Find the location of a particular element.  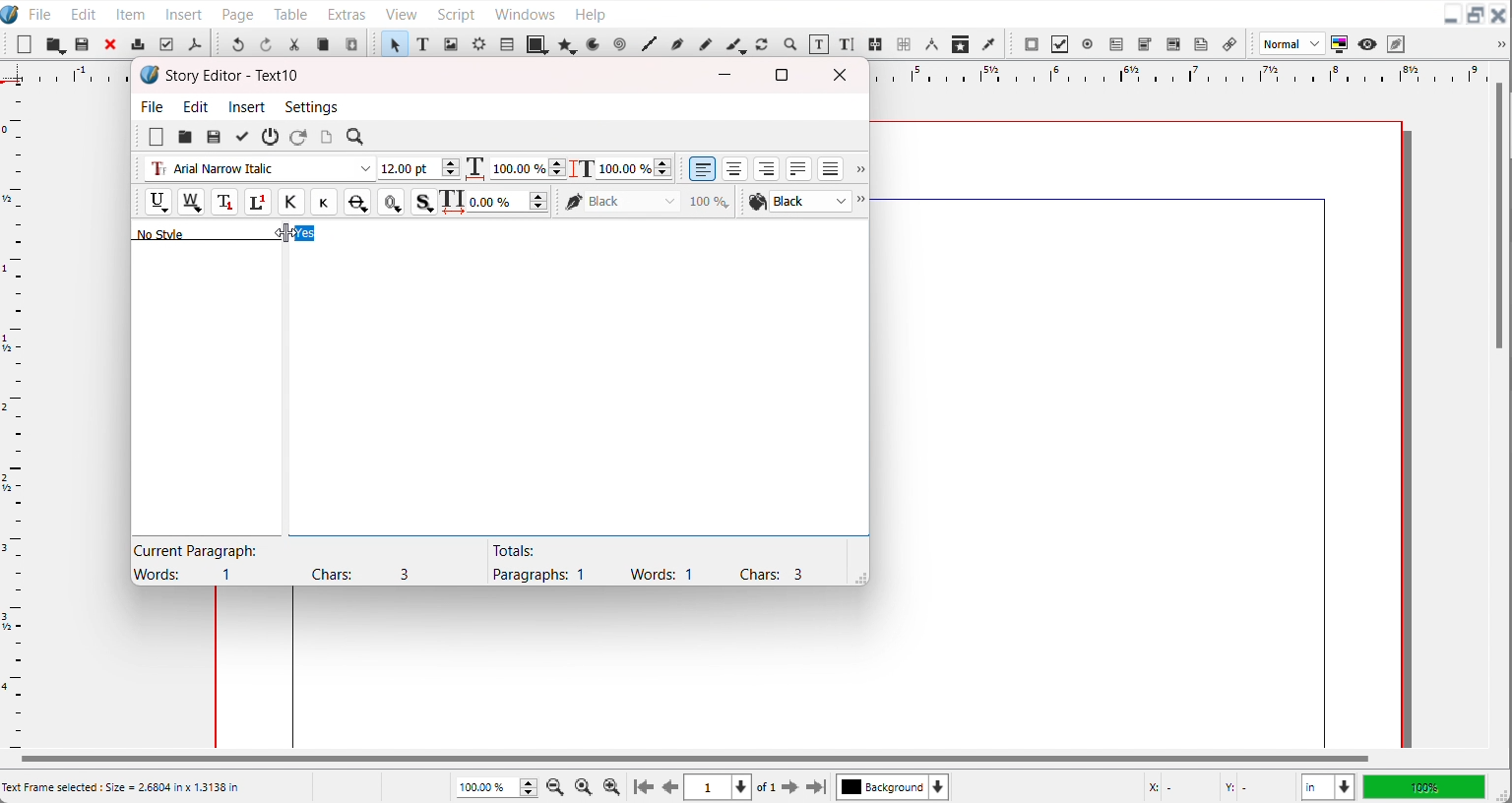

Edit content with frame is located at coordinates (819, 44).